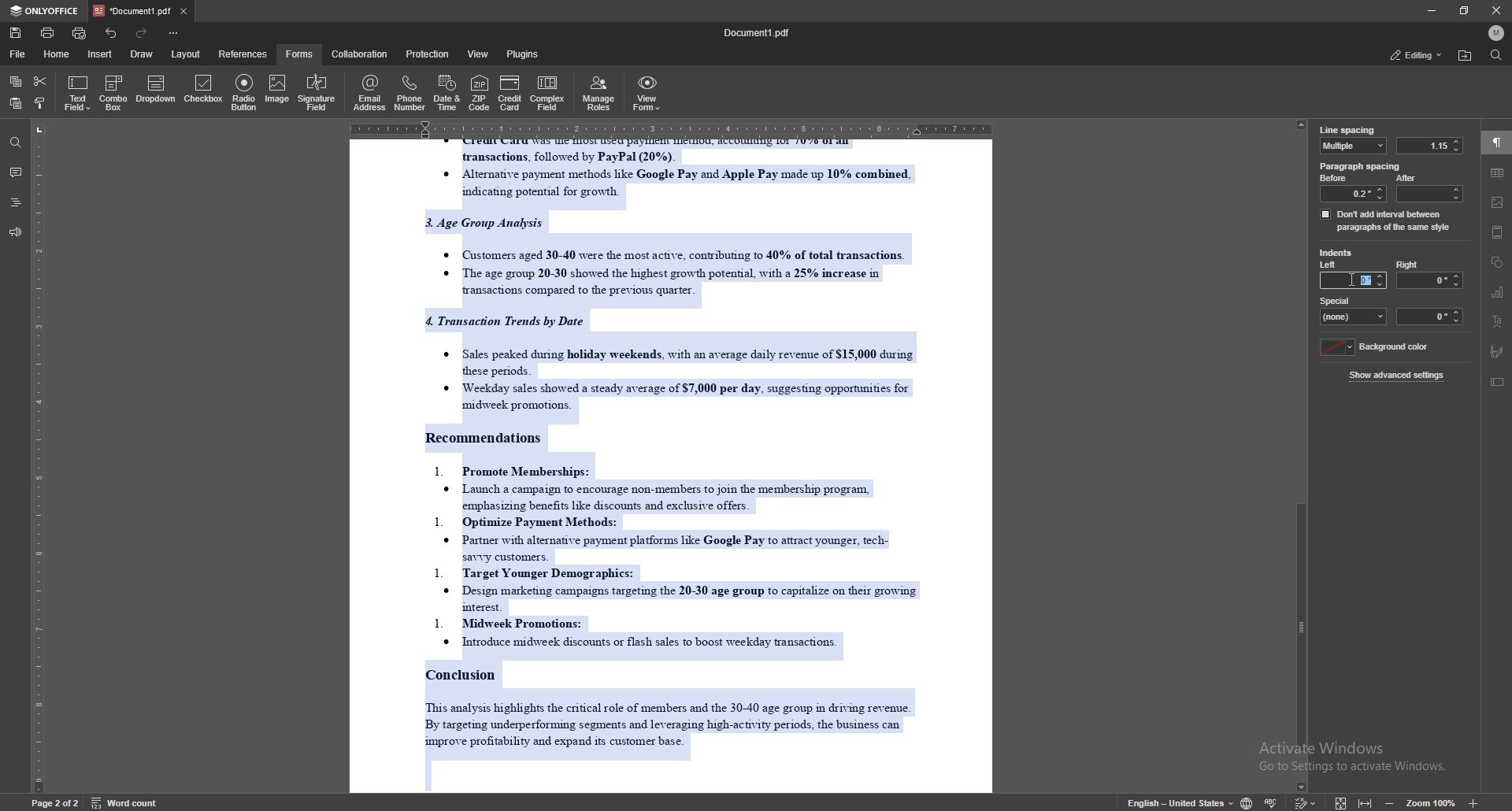 The image size is (1512, 811). Describe the element at coordinates (123, 802) in the screenshot. I see `word count` at that location.